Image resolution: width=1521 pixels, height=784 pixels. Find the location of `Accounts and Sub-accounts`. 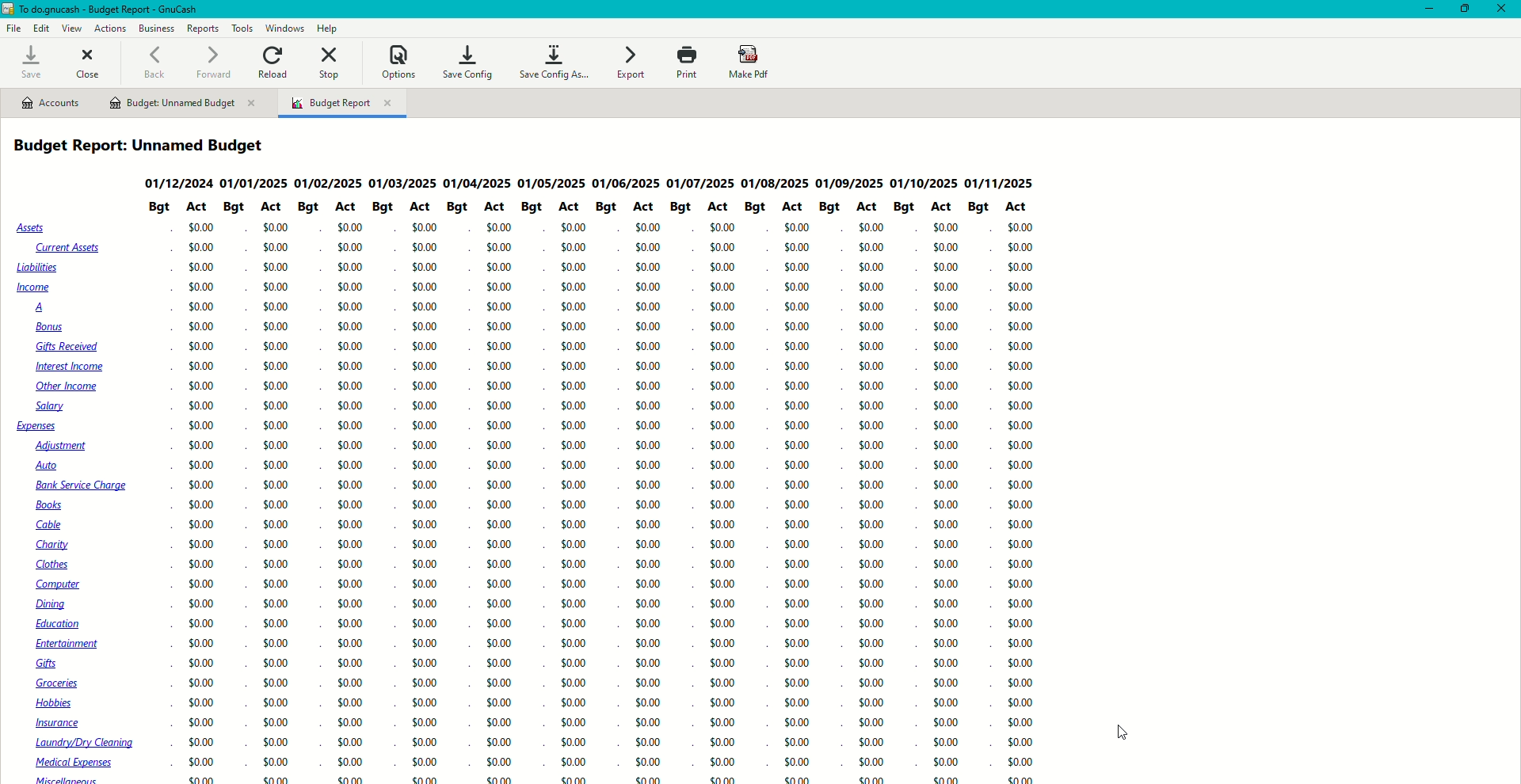

Accounts and Sub-accounts is located at coordinates (79, 501).